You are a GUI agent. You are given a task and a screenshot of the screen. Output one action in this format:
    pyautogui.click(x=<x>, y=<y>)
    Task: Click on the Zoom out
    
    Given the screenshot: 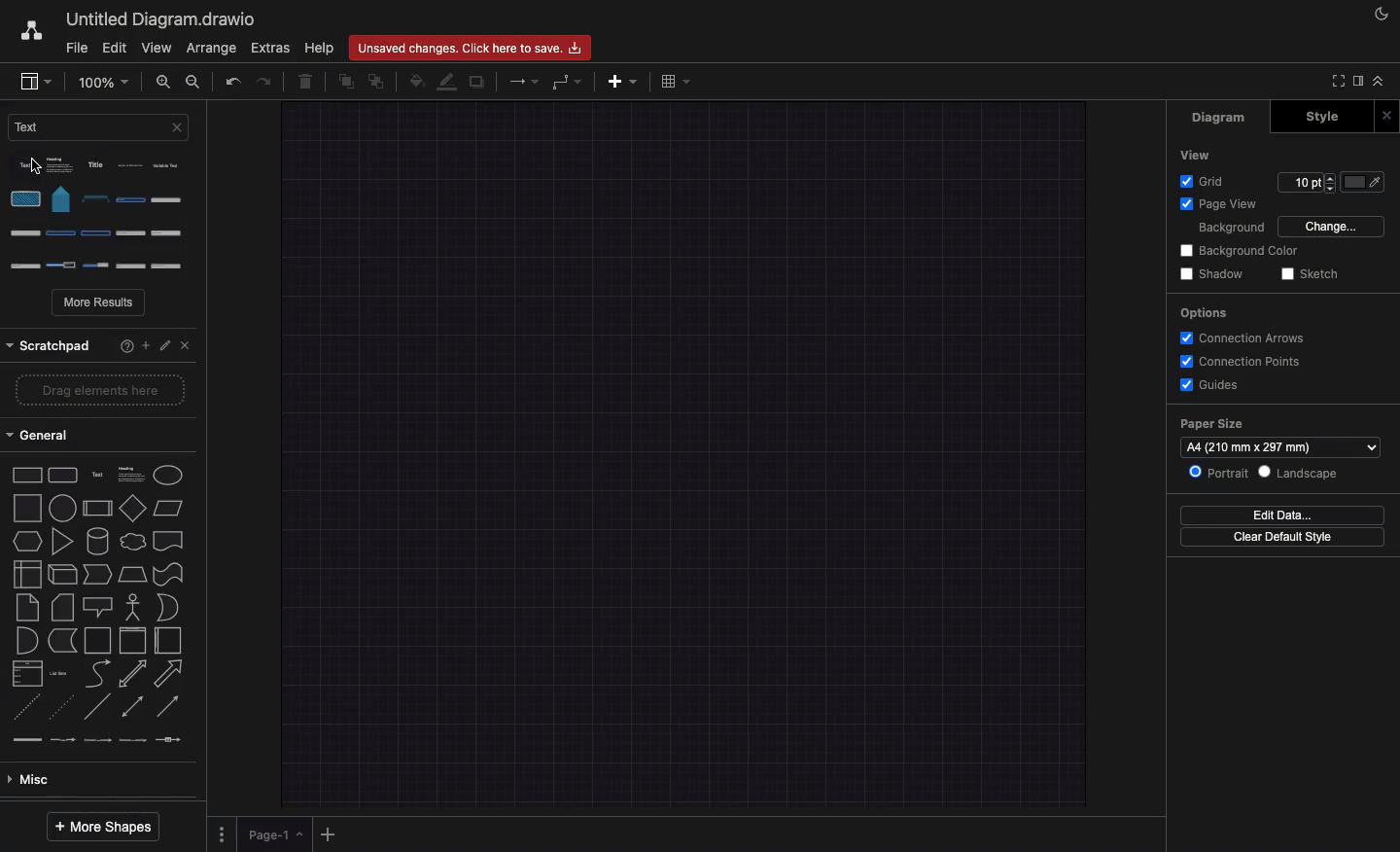 What is the action you would take?
    pyautogui.click(x=193, y=84)
    